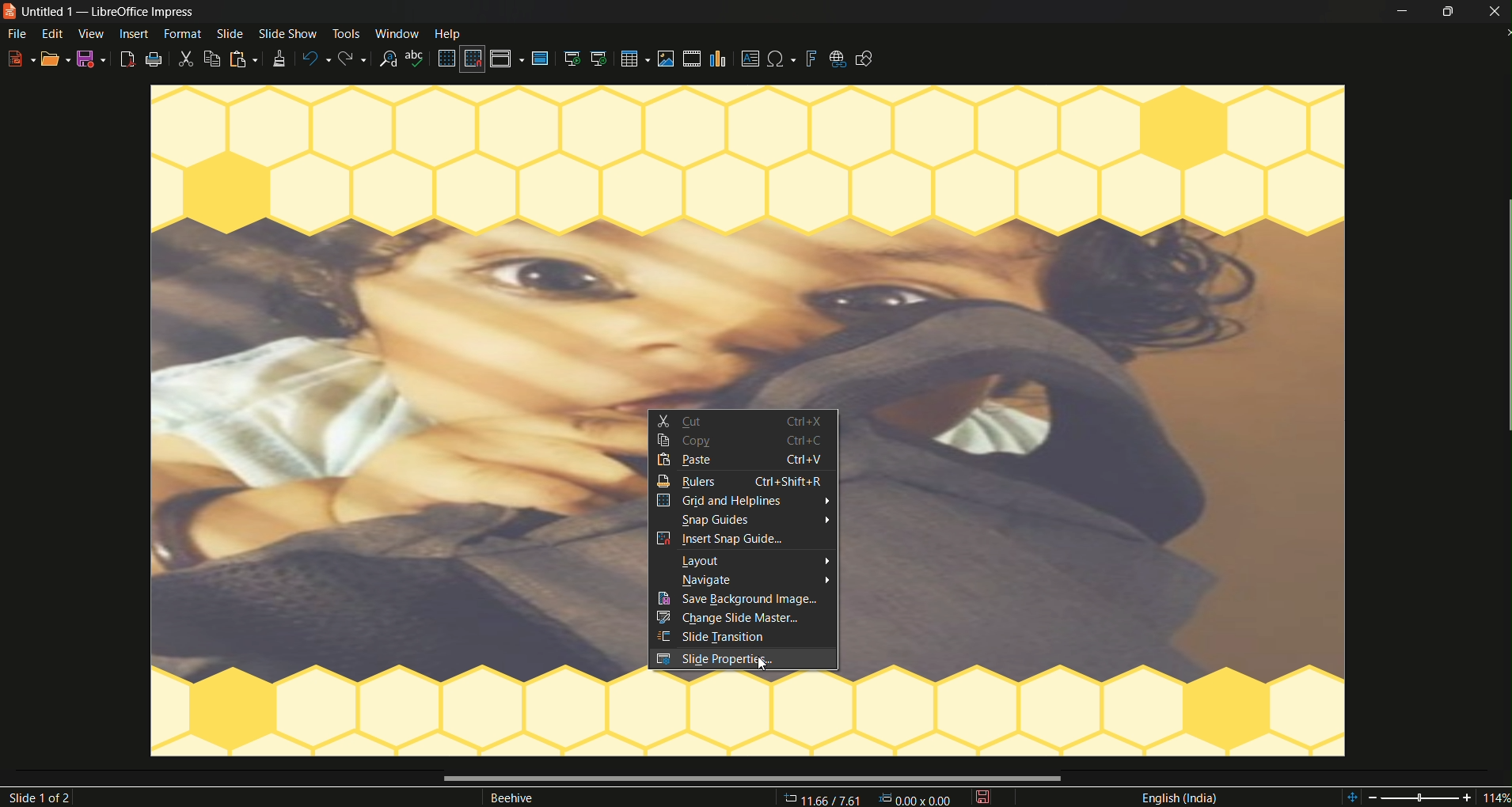 This screenshot has height=807, width=1512. Describe the element at coordinates (602, 59) in the screenshot. I see `start from the current slide` at that location.